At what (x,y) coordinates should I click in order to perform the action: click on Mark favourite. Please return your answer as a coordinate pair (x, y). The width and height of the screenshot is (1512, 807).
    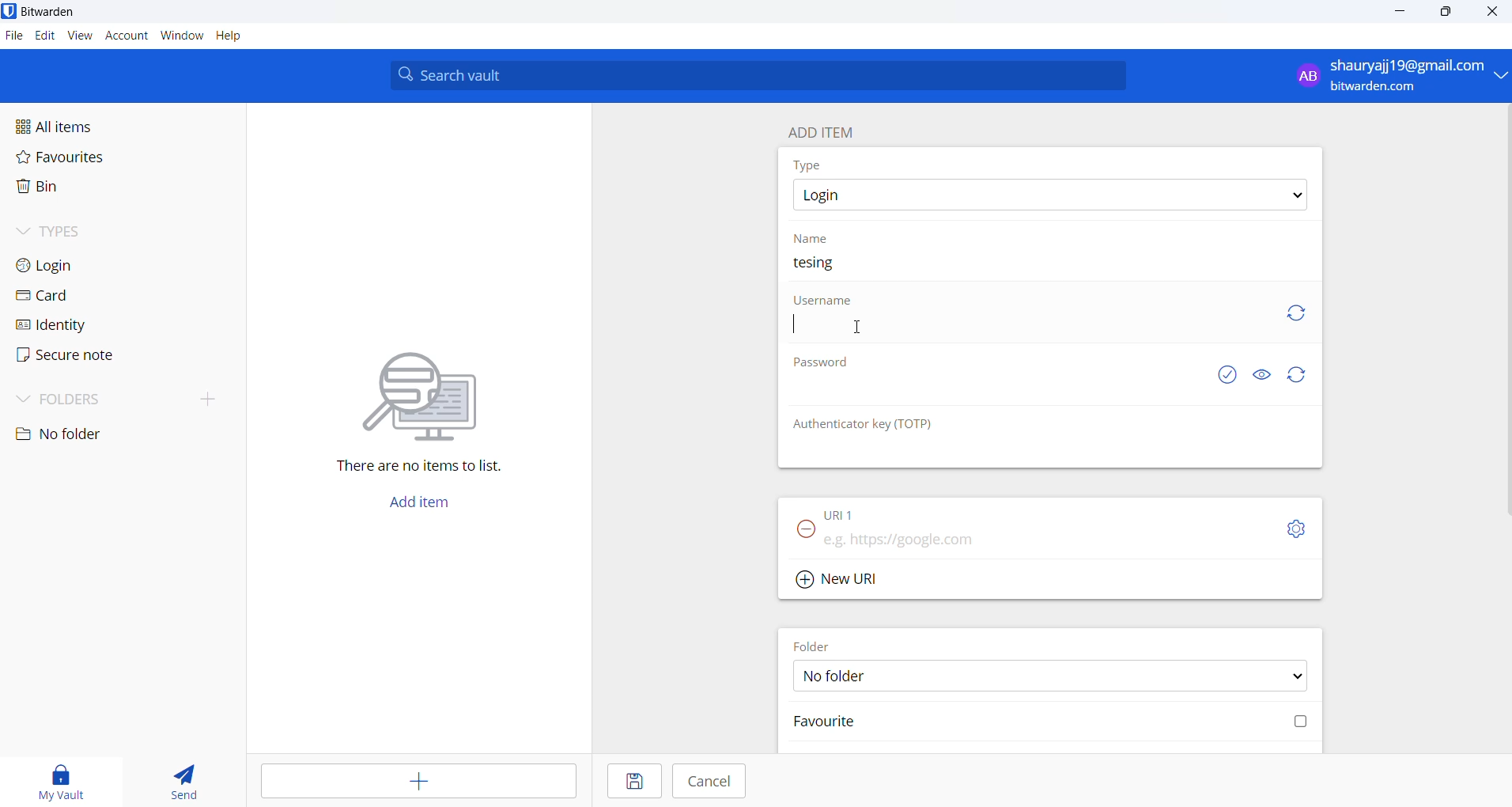
    Looking at the image, I should click on (1049, 726).